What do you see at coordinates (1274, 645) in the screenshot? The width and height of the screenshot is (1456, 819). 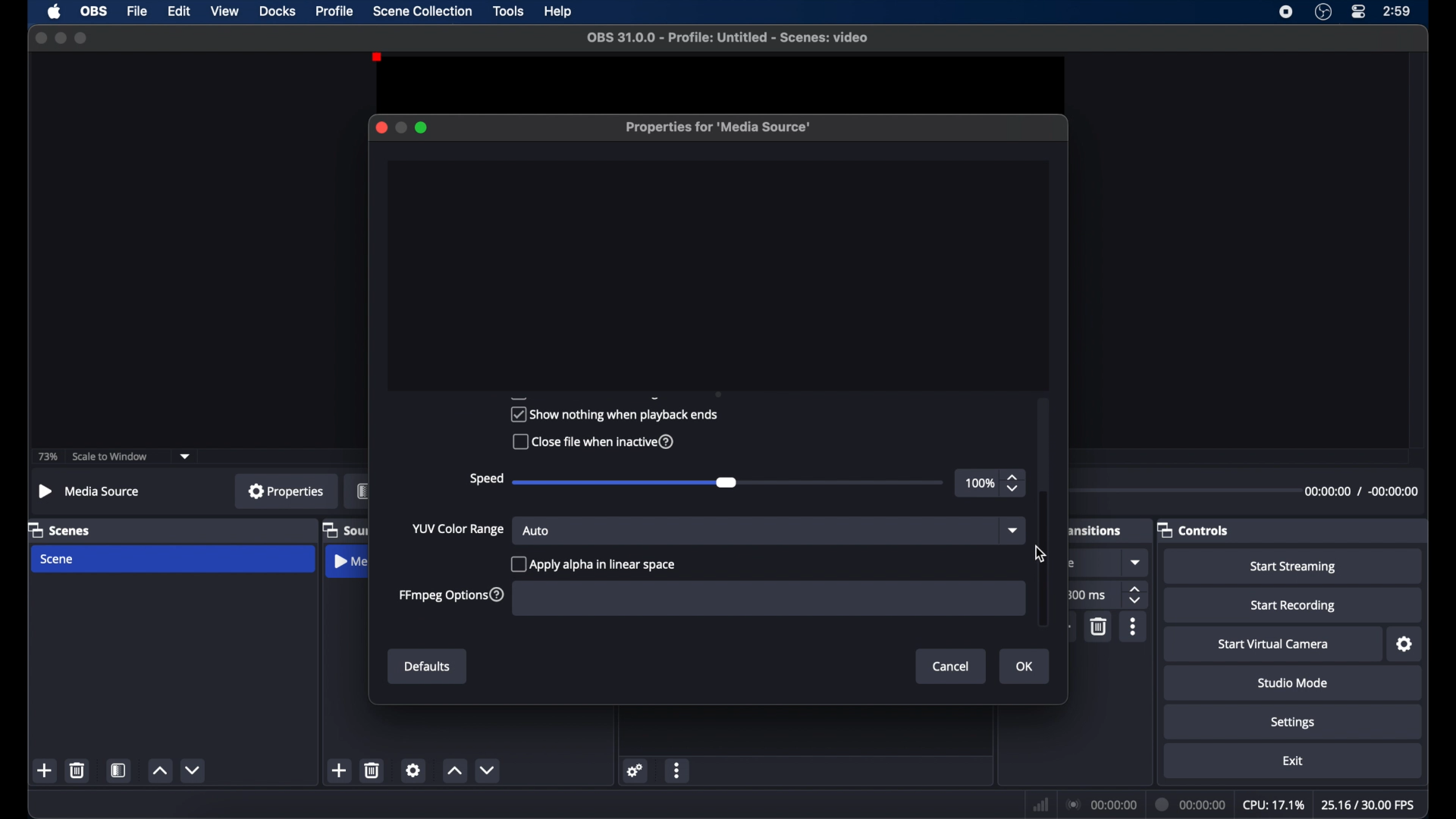 I see `start virtual camera` at bounding box center [1274, 645].